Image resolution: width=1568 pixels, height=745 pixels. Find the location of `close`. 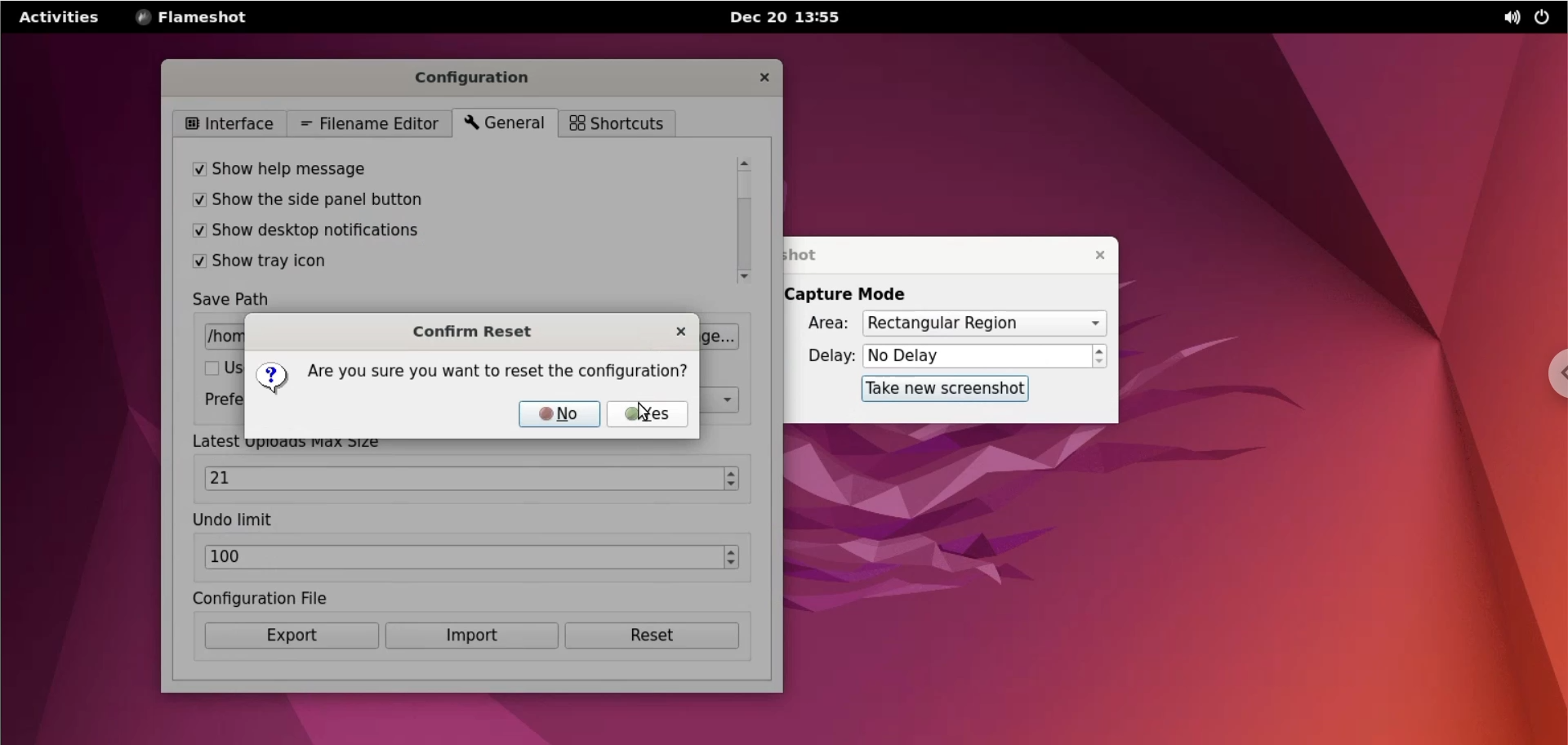

close is located at coordinates (680, 331).